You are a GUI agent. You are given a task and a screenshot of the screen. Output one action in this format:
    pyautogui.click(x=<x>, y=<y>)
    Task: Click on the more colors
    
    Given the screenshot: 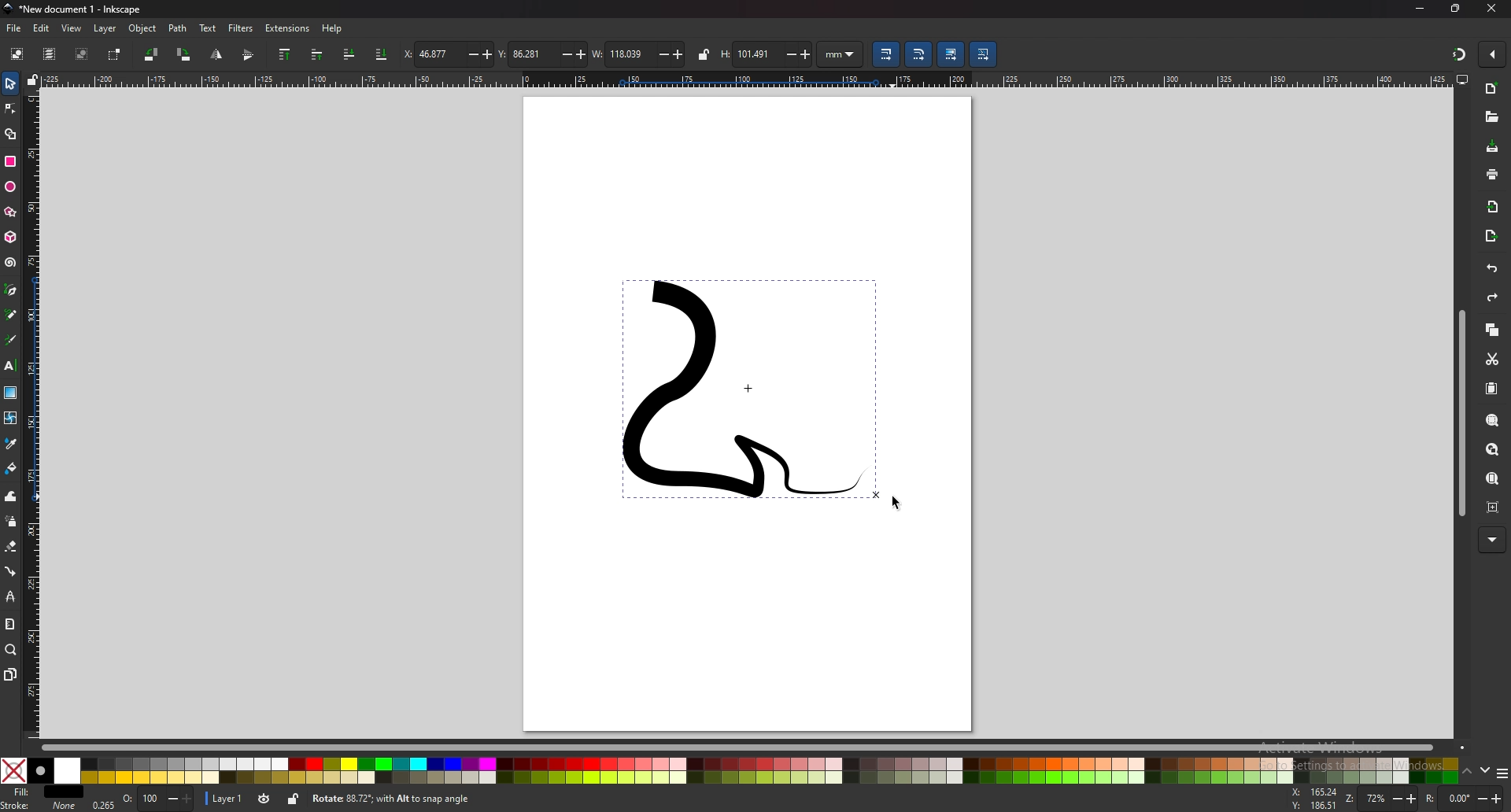 What is the action you would take?
    pyautogui.click(x=1502, y=773)
    